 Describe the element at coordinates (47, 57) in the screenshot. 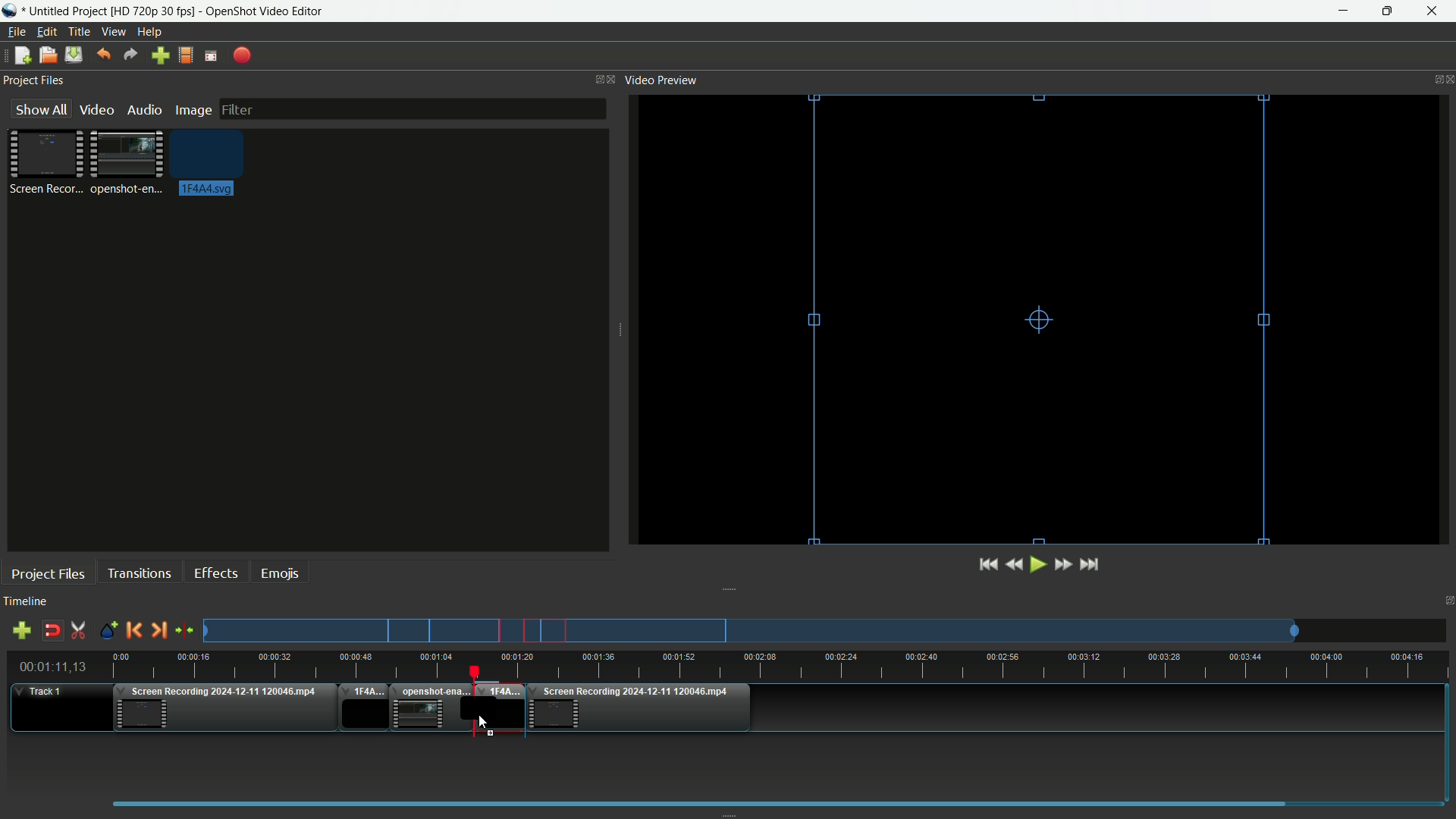

I see `Open file` at that location.